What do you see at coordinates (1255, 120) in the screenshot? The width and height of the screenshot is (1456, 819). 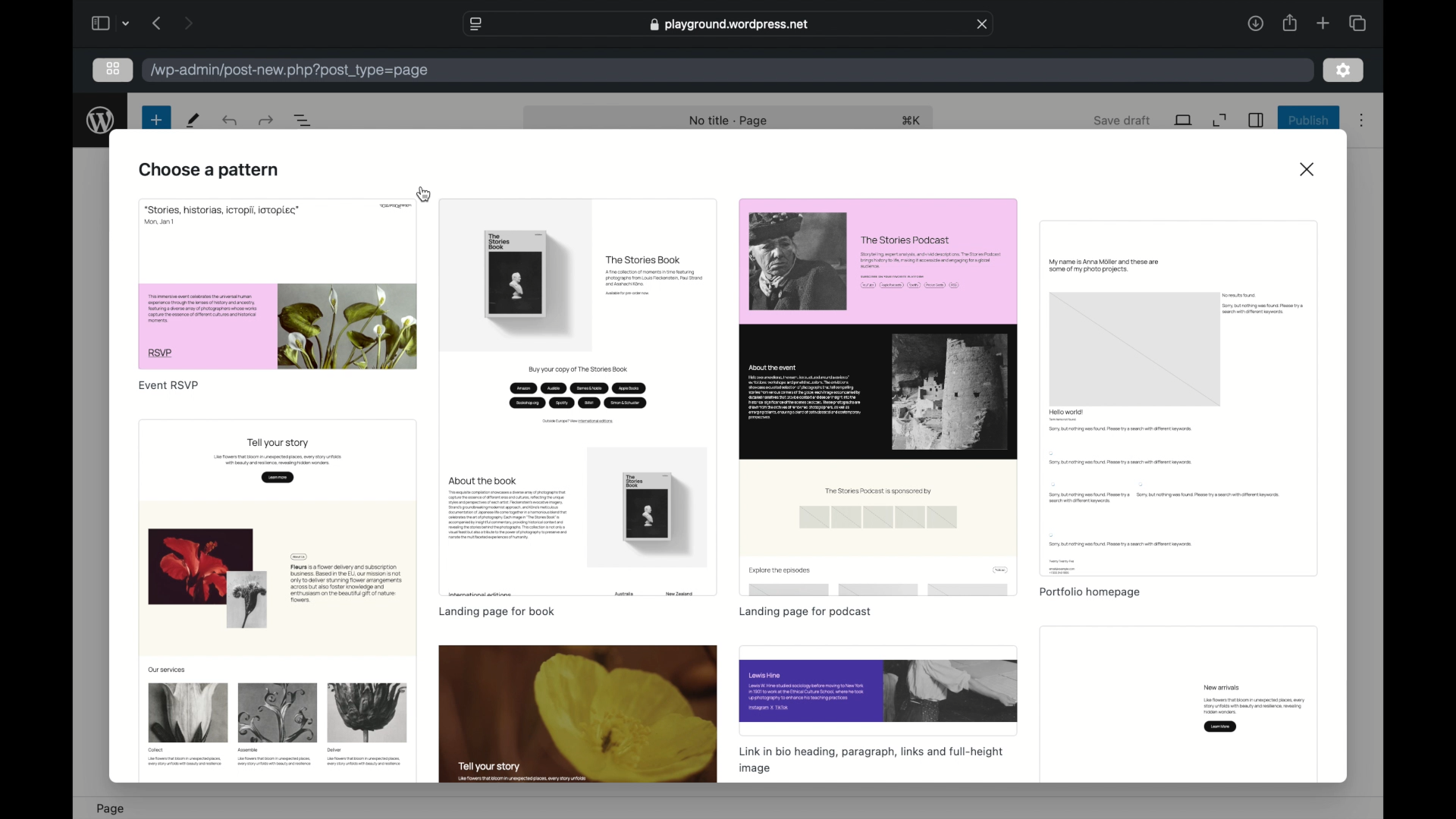 I see `sidebar` at bounding box center [1255, 120].